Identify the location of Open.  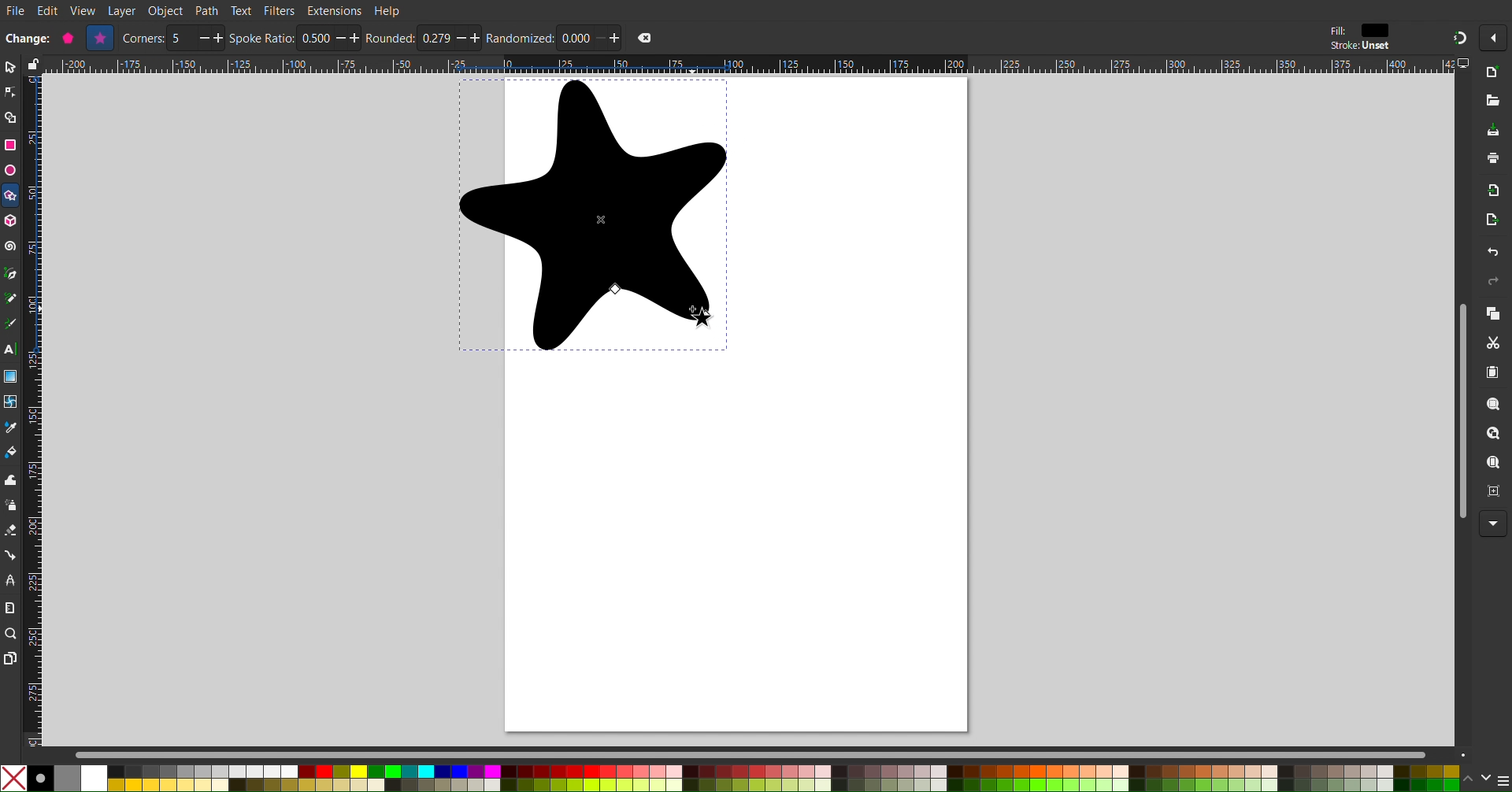
(1494, 102).